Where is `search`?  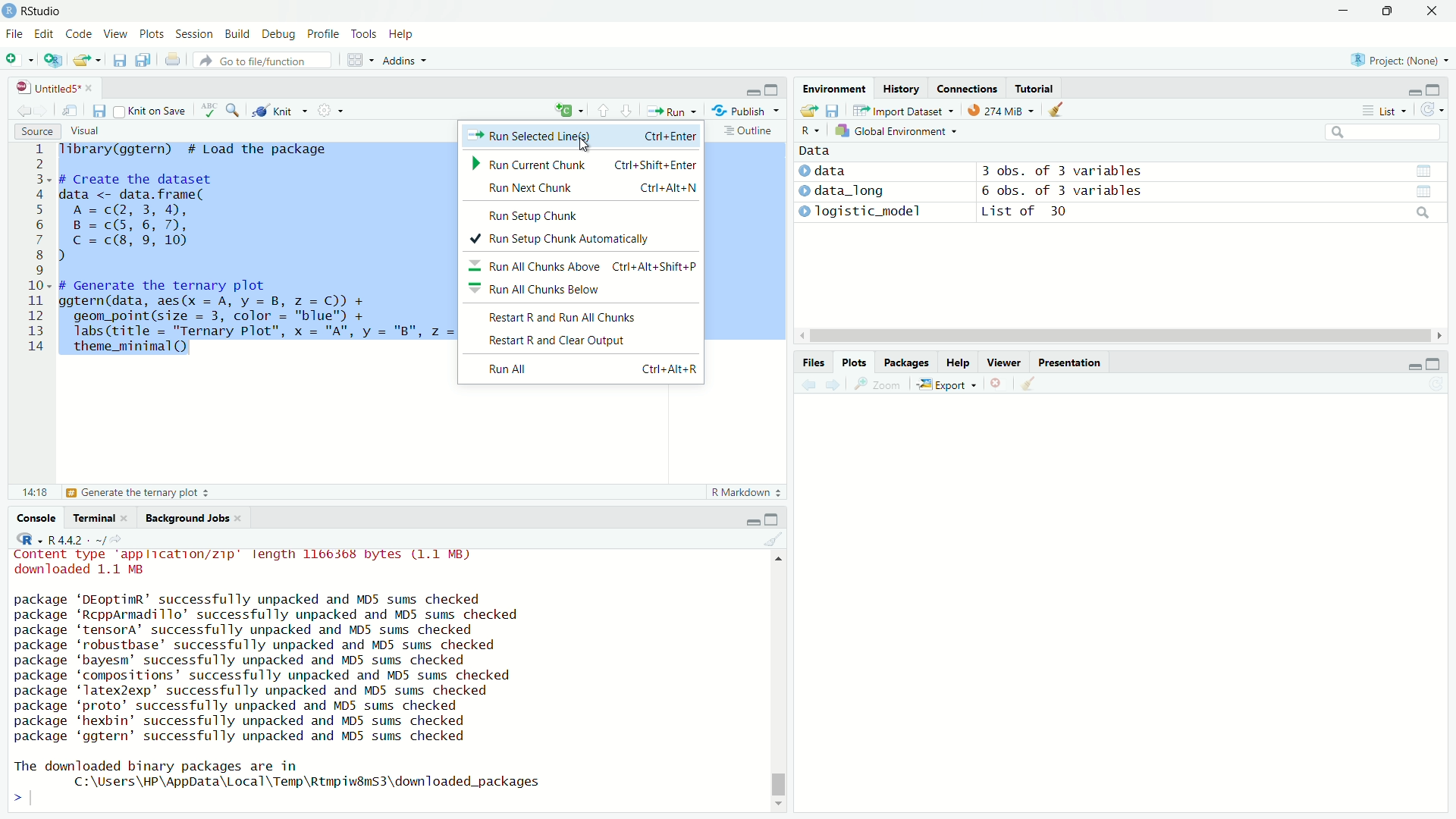 search is located at coordinates (1381, 133).